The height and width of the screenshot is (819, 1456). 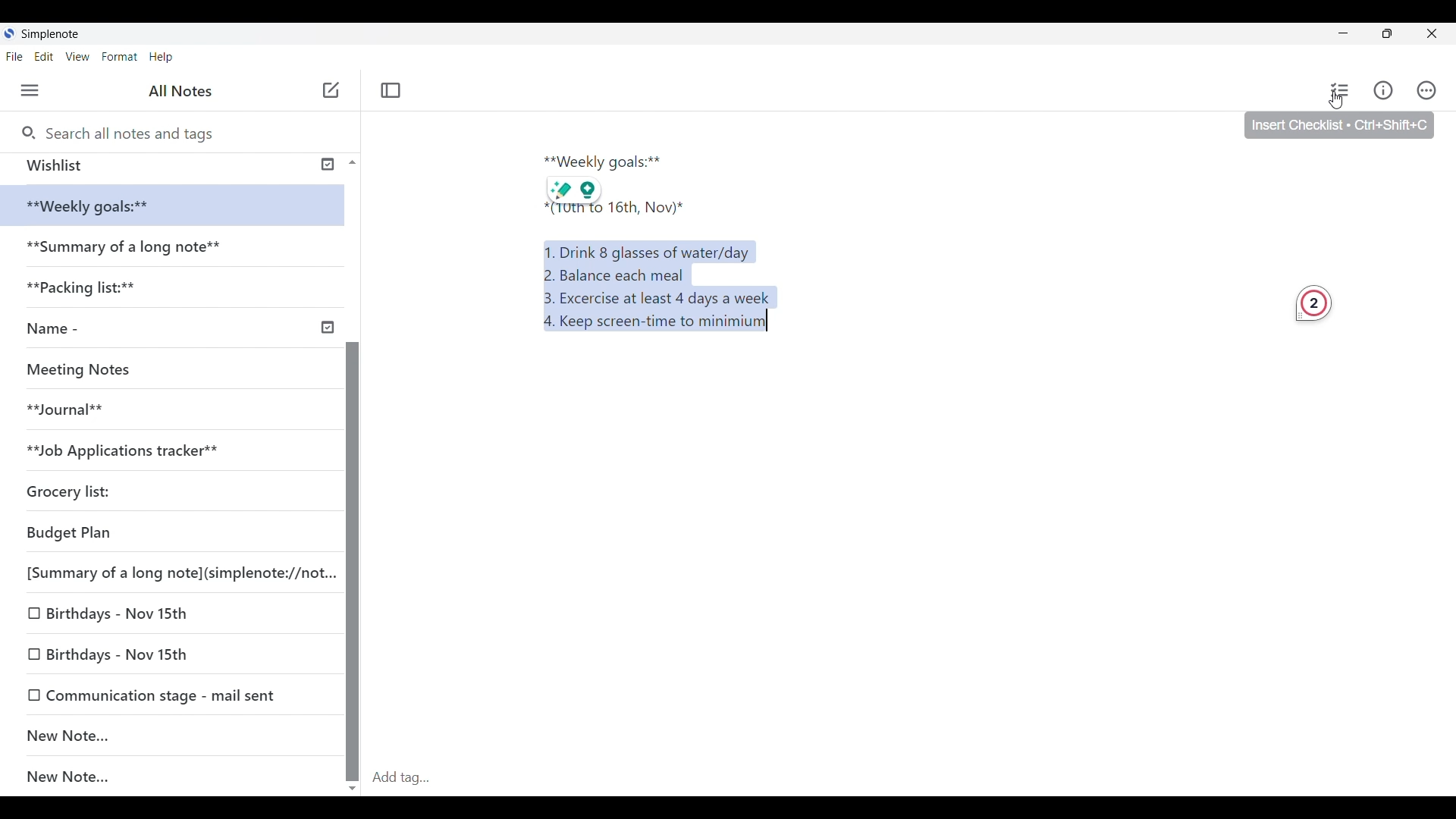 What do you see at coordinates (353, 783) in the screenshot?
I see `scroll down button` at bounding box center [353, 783].